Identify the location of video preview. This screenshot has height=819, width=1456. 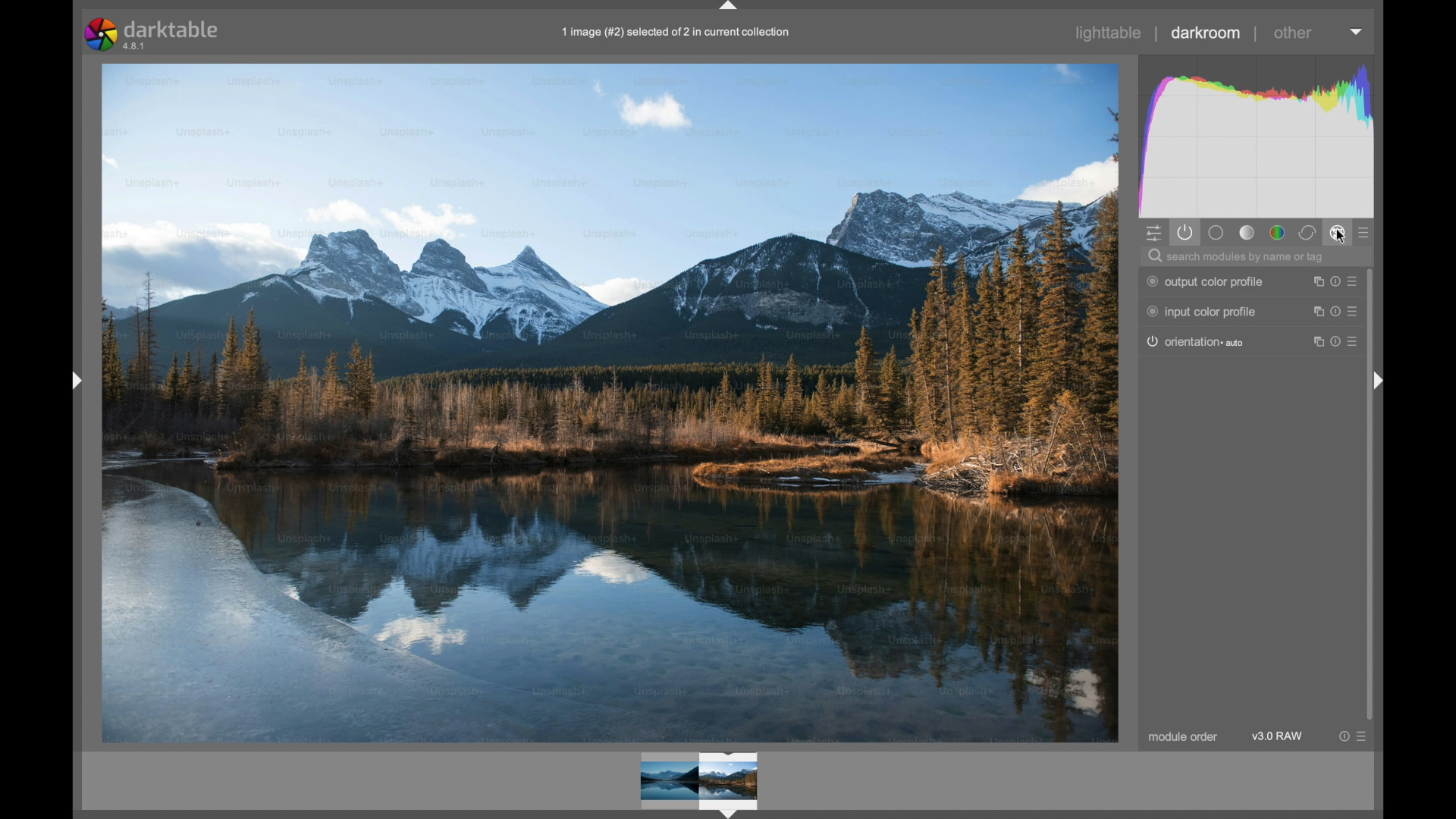
(699, 783).